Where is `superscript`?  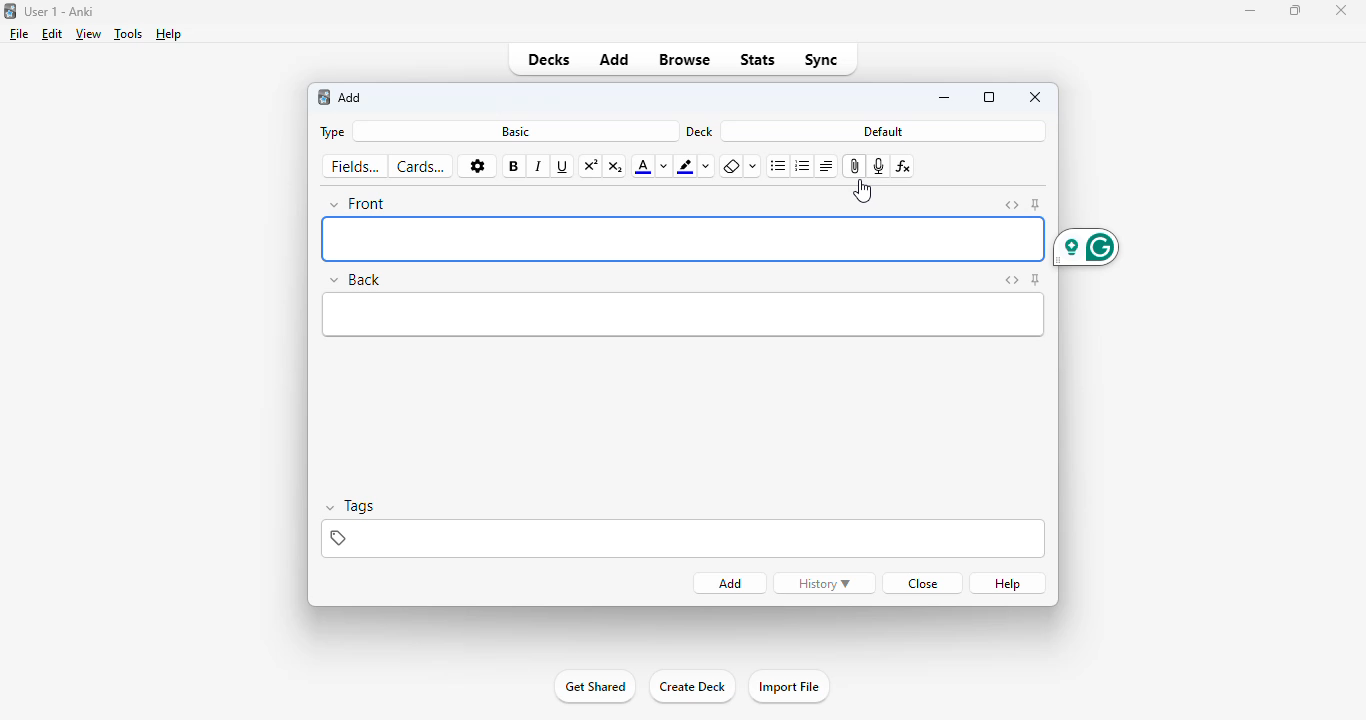
superscript is located at coordinates (591, 167).